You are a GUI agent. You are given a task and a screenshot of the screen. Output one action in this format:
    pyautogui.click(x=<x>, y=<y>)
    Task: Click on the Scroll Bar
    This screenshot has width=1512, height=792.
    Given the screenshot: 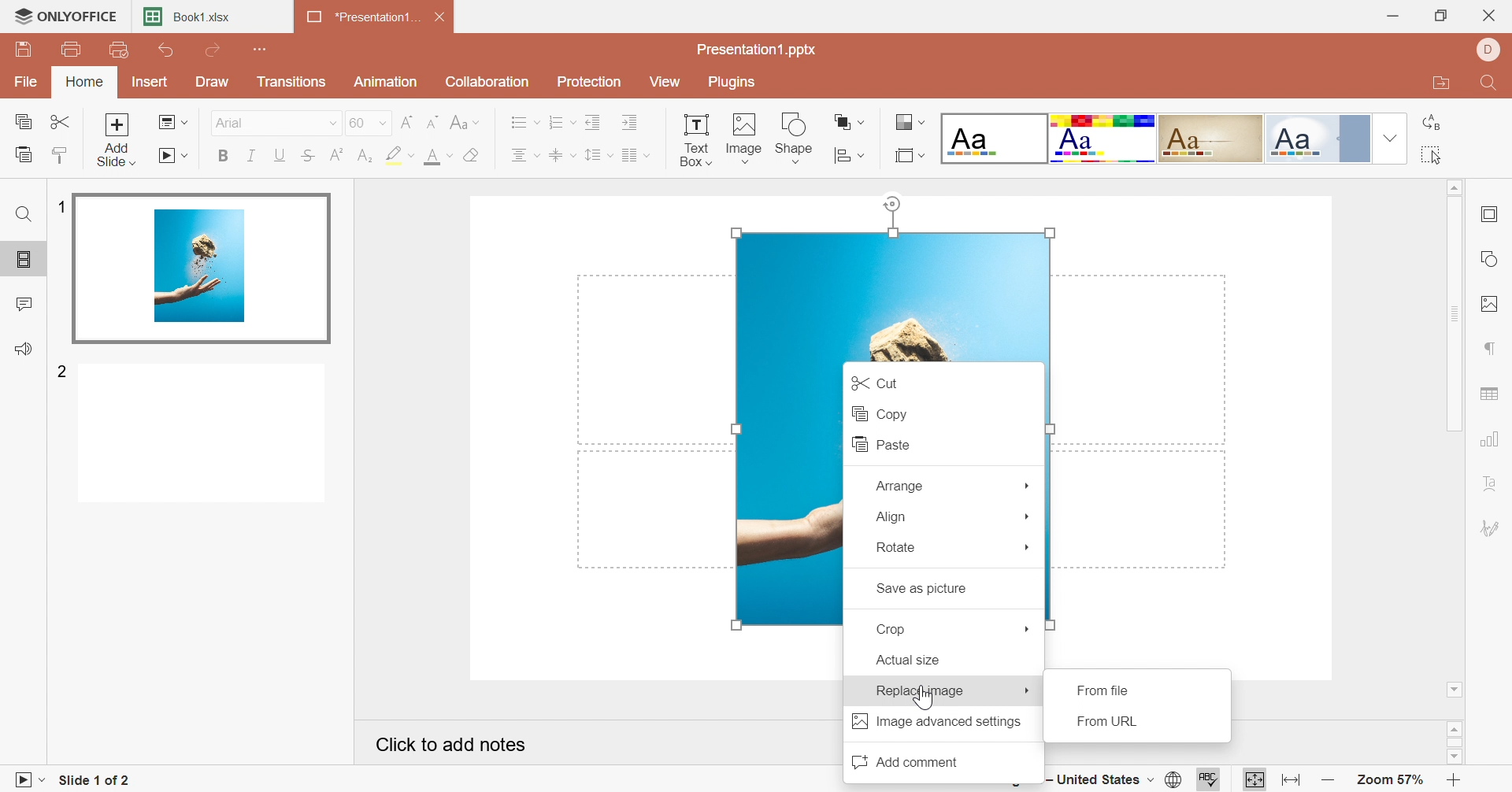 What is the action you would take?
    pyautogui.click(x=1455, y=313)
    